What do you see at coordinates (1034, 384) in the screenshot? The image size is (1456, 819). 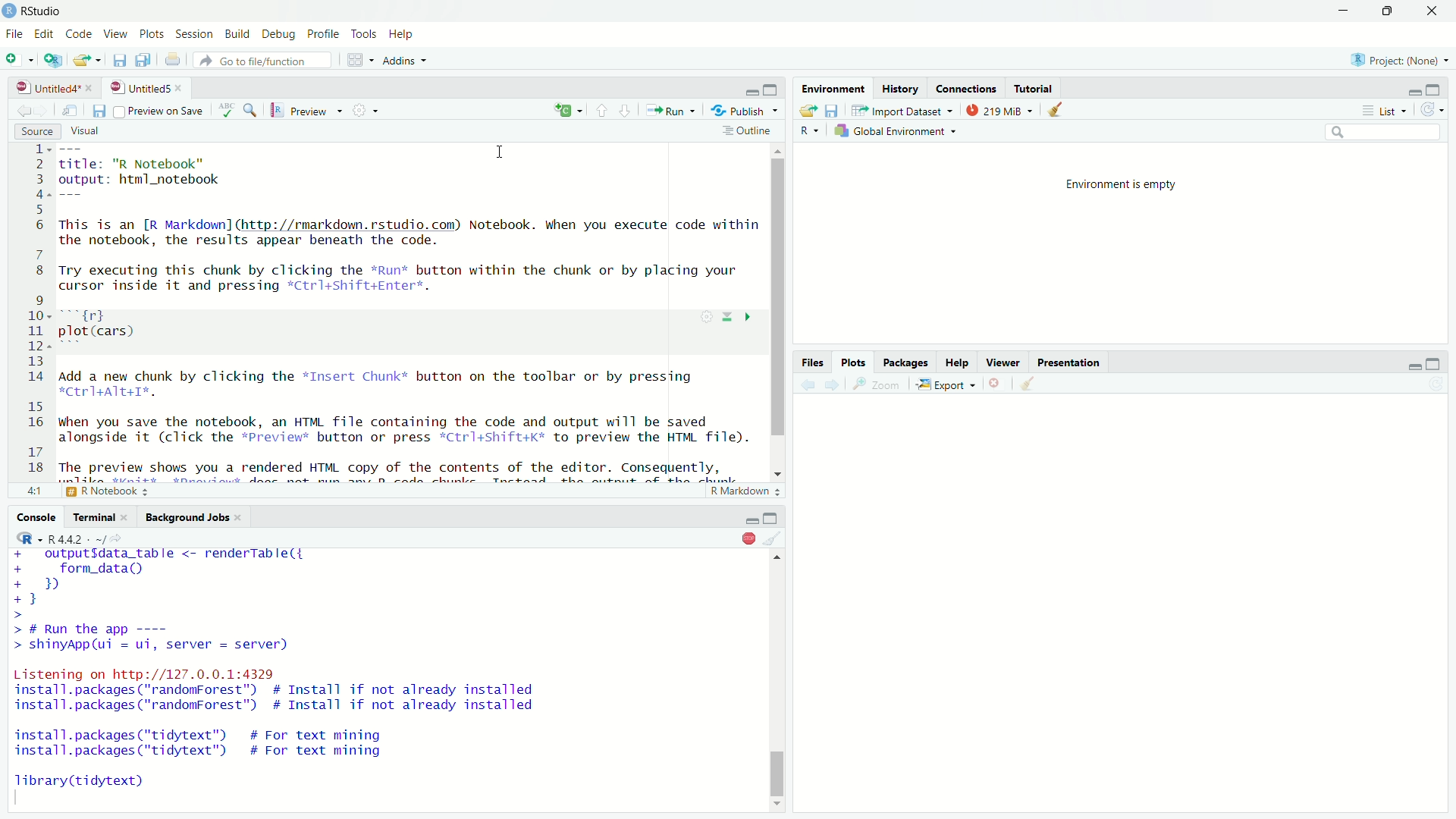 I see `Clear all plots` at bounding box center [1034, 384].